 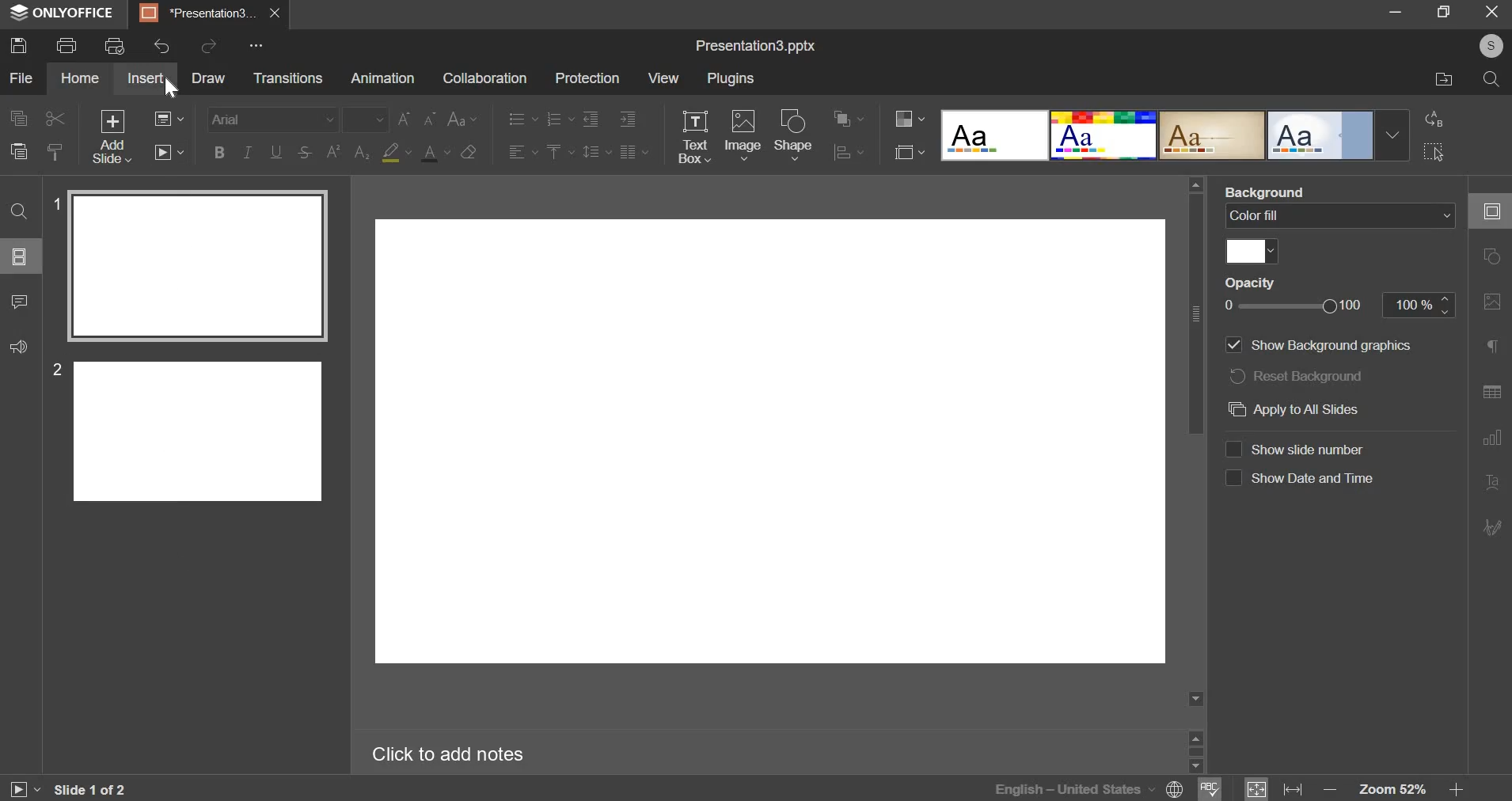 What do you see at coordinates (1301, 449) in the screenshot?
I see `slide number` at bounding box center [1301, 449].